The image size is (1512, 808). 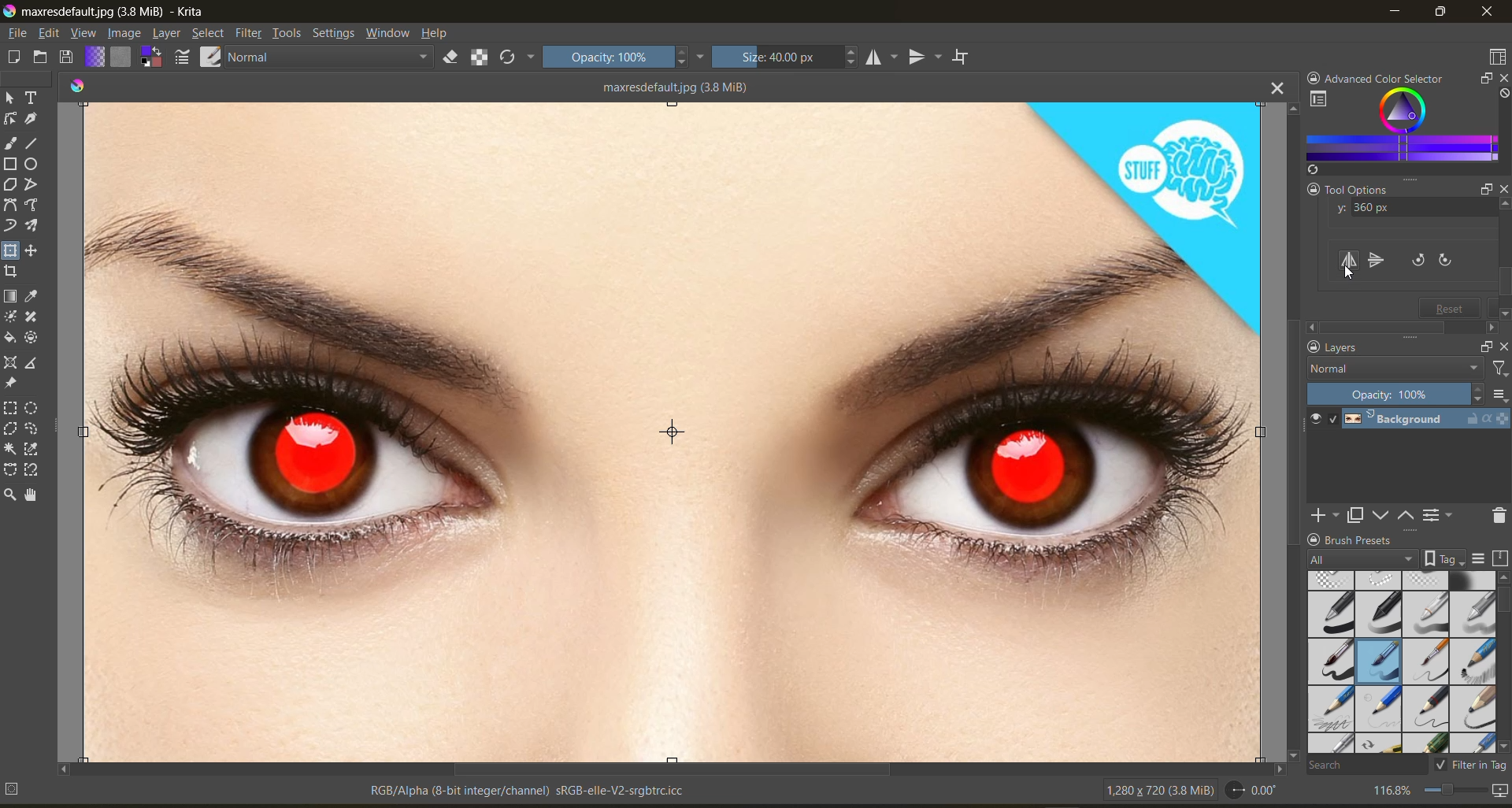 I want to click on Tool Options, so click(x=1348, y=189).